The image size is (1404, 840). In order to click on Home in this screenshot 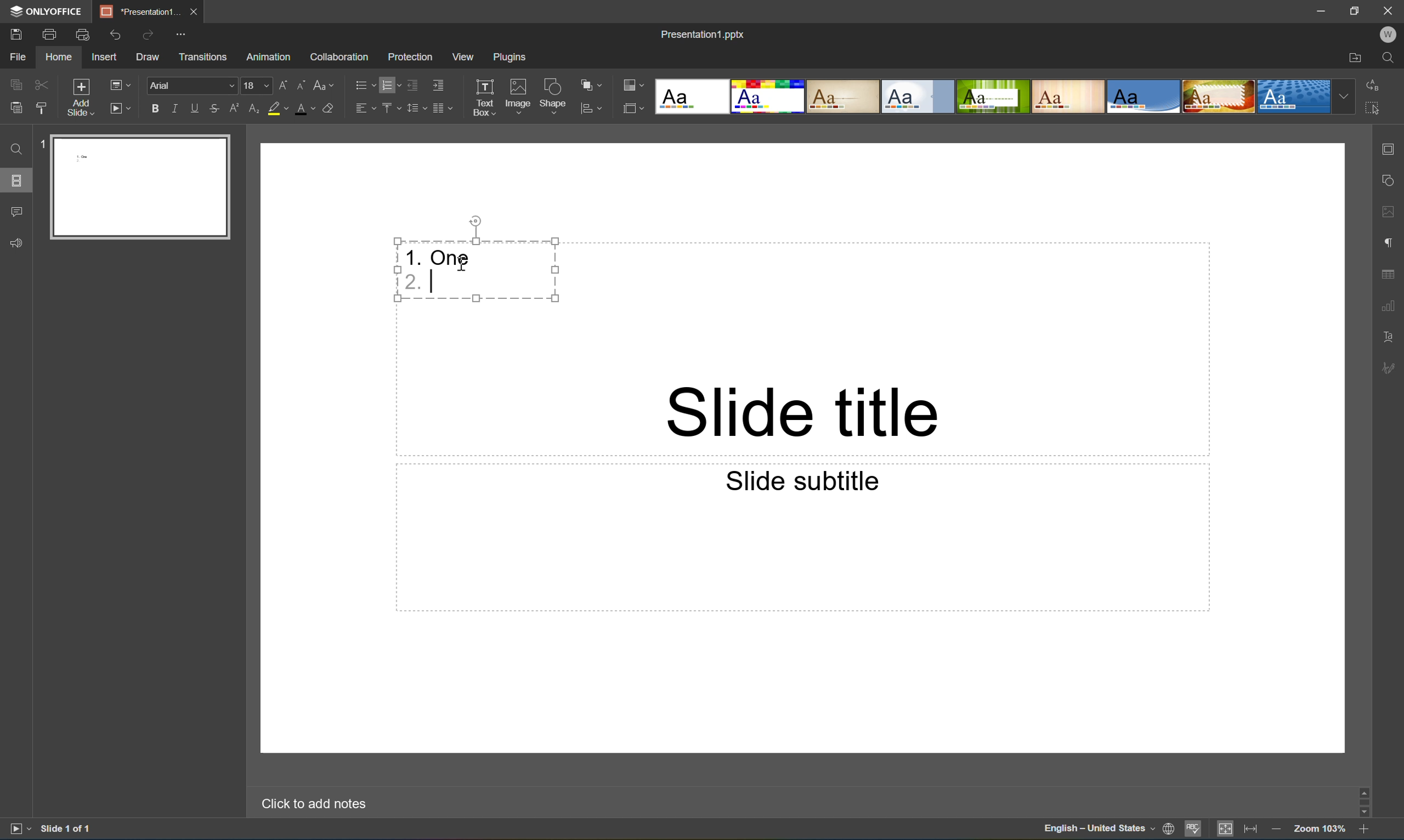, I will do `click(61, 57)`.